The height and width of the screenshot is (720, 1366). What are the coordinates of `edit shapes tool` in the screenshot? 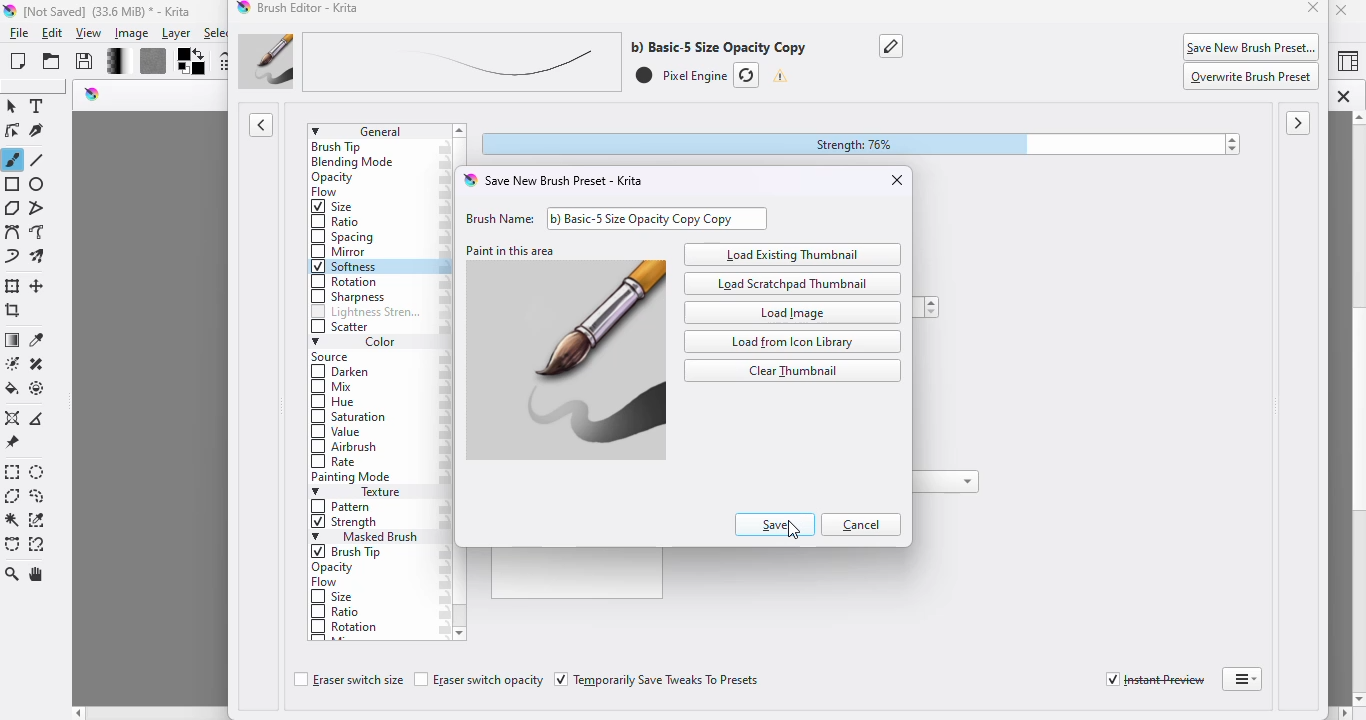 It's located at (12, 131).